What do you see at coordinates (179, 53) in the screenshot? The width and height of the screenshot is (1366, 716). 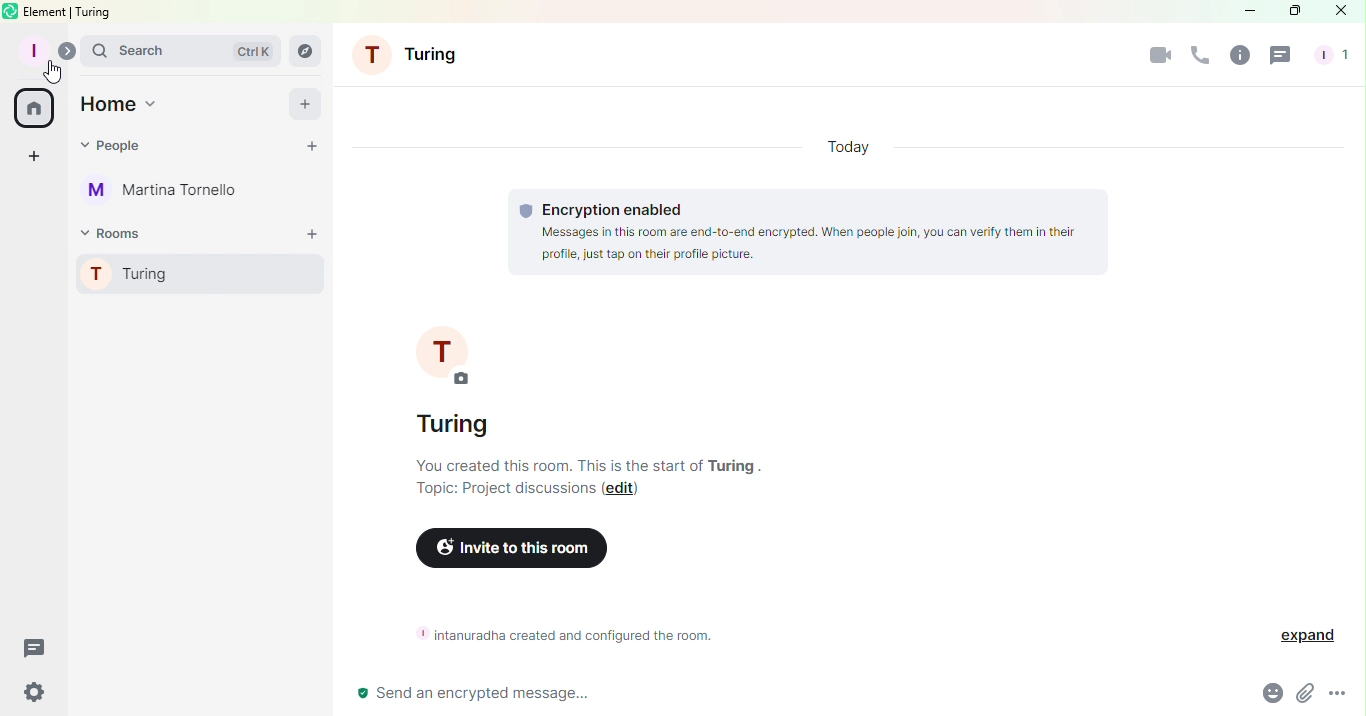 I see `Search bar` at bounding box center [179, 53].